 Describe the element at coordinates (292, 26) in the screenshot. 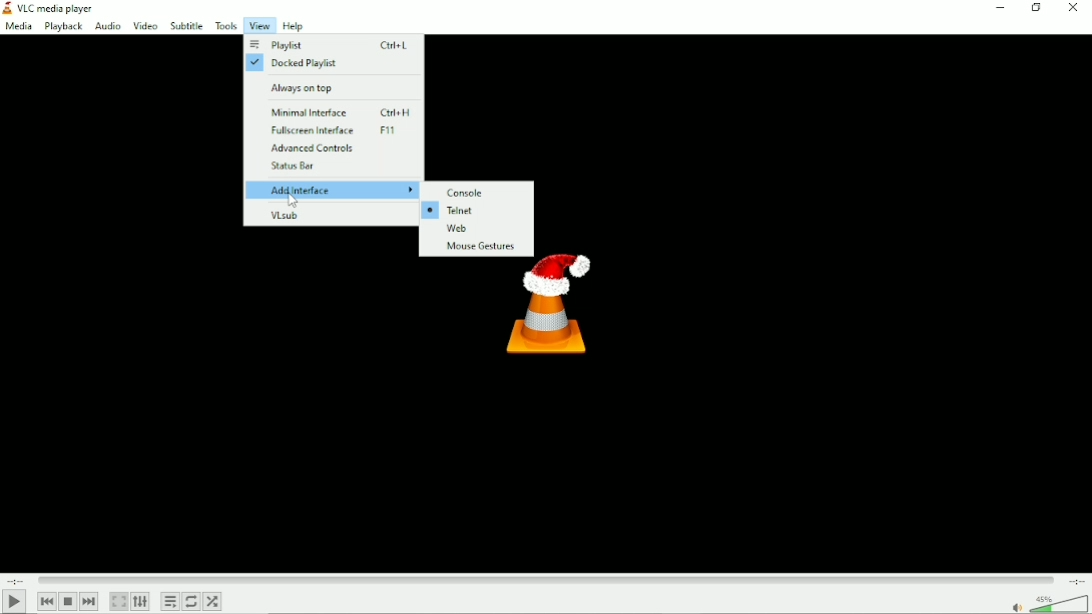

I see `Help` at that location.